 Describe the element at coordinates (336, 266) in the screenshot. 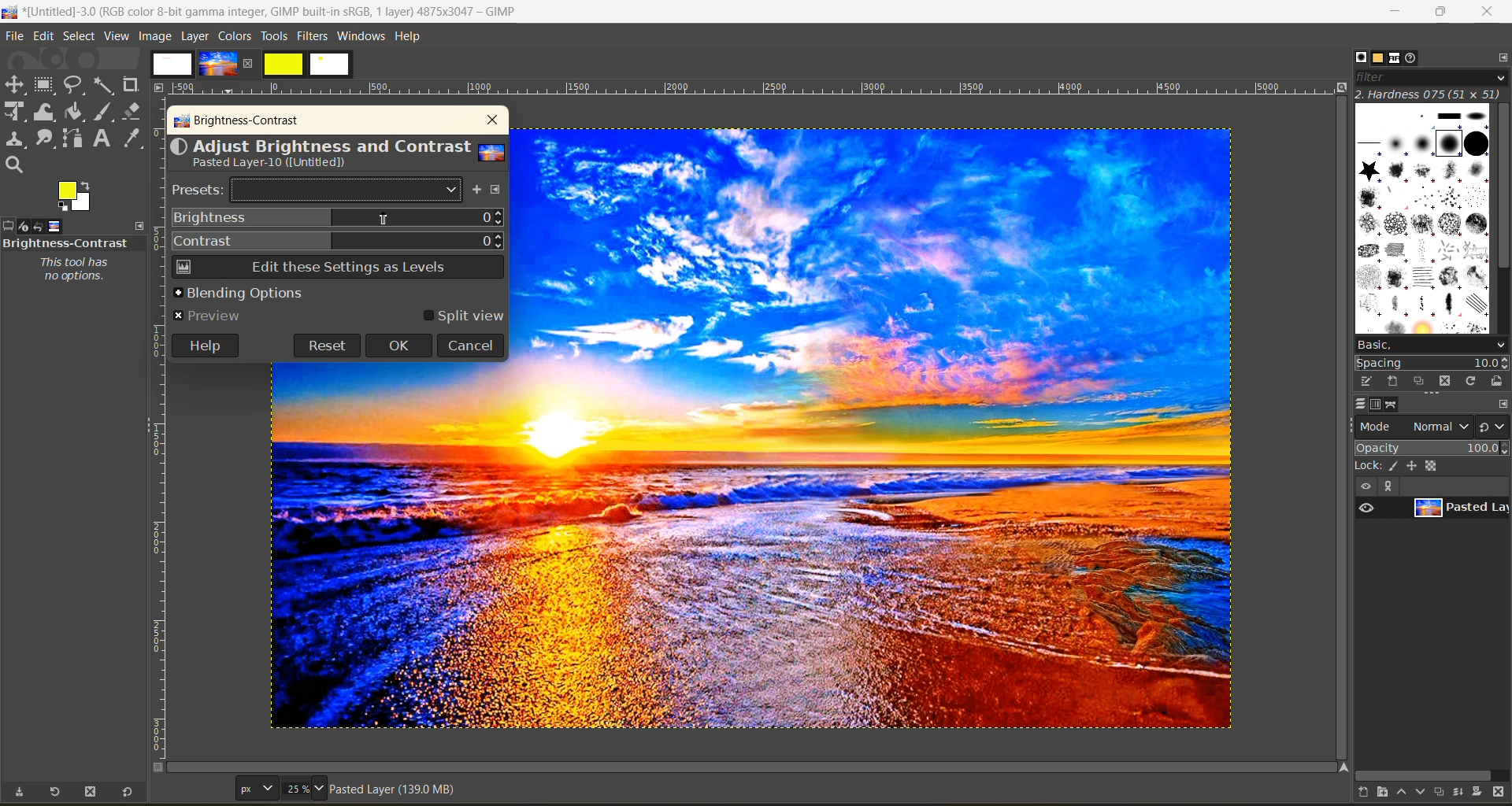

I see `edit these settings as levels` at that location.